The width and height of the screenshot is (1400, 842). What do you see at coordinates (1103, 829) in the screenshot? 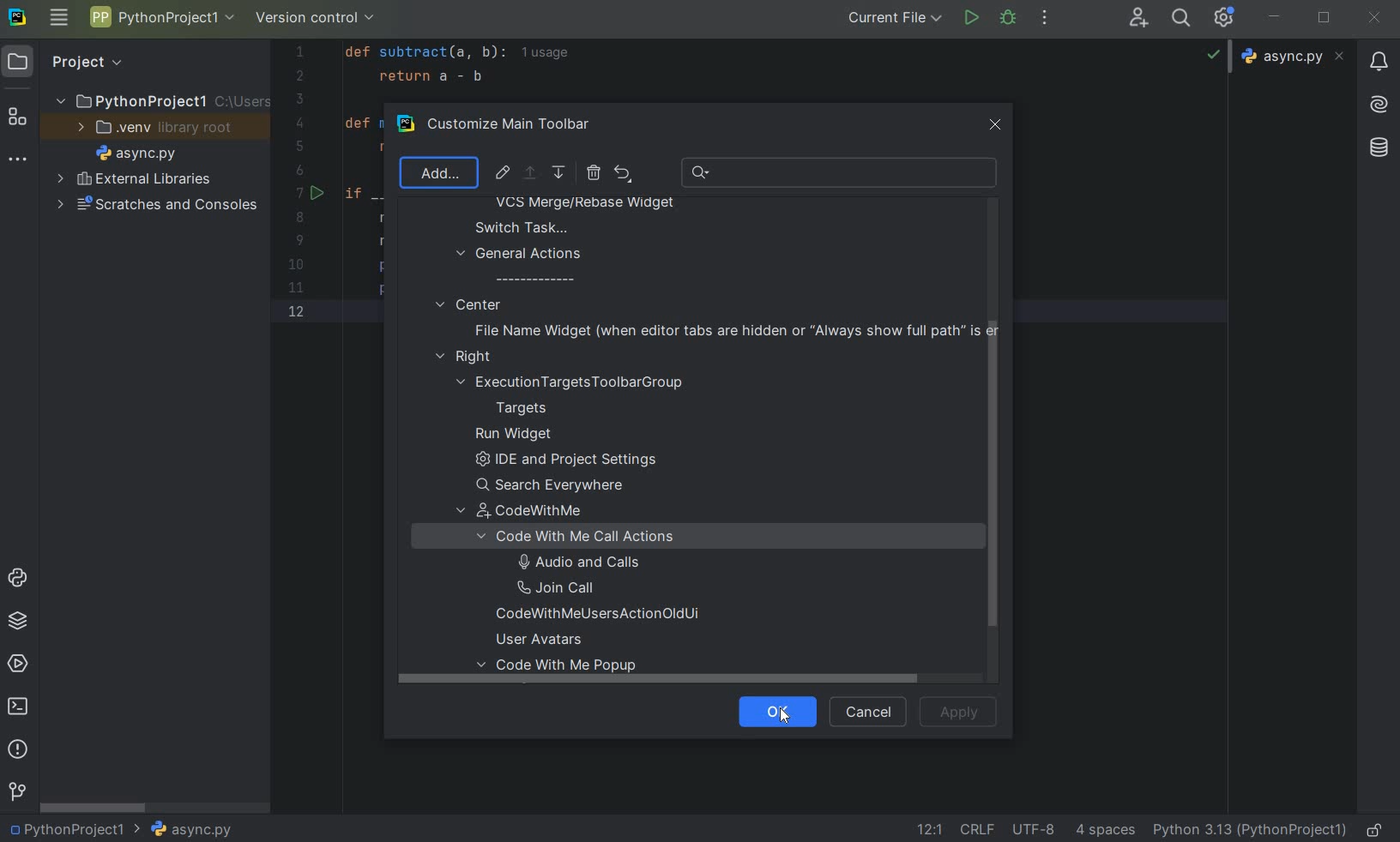
I see `INDENT` at bounding box center [1103, 829].